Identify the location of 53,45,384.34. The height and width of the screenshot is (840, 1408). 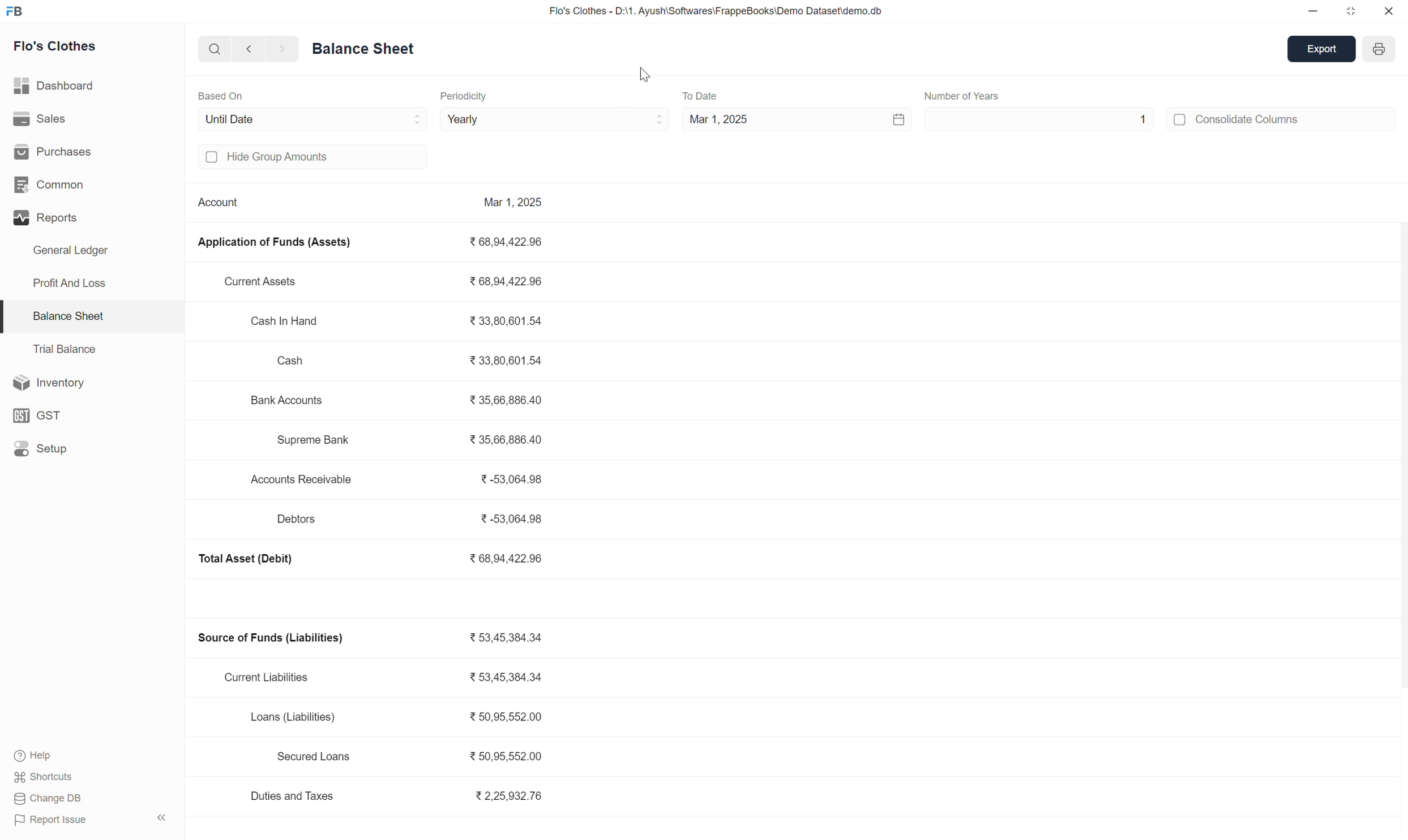
(510, 637).